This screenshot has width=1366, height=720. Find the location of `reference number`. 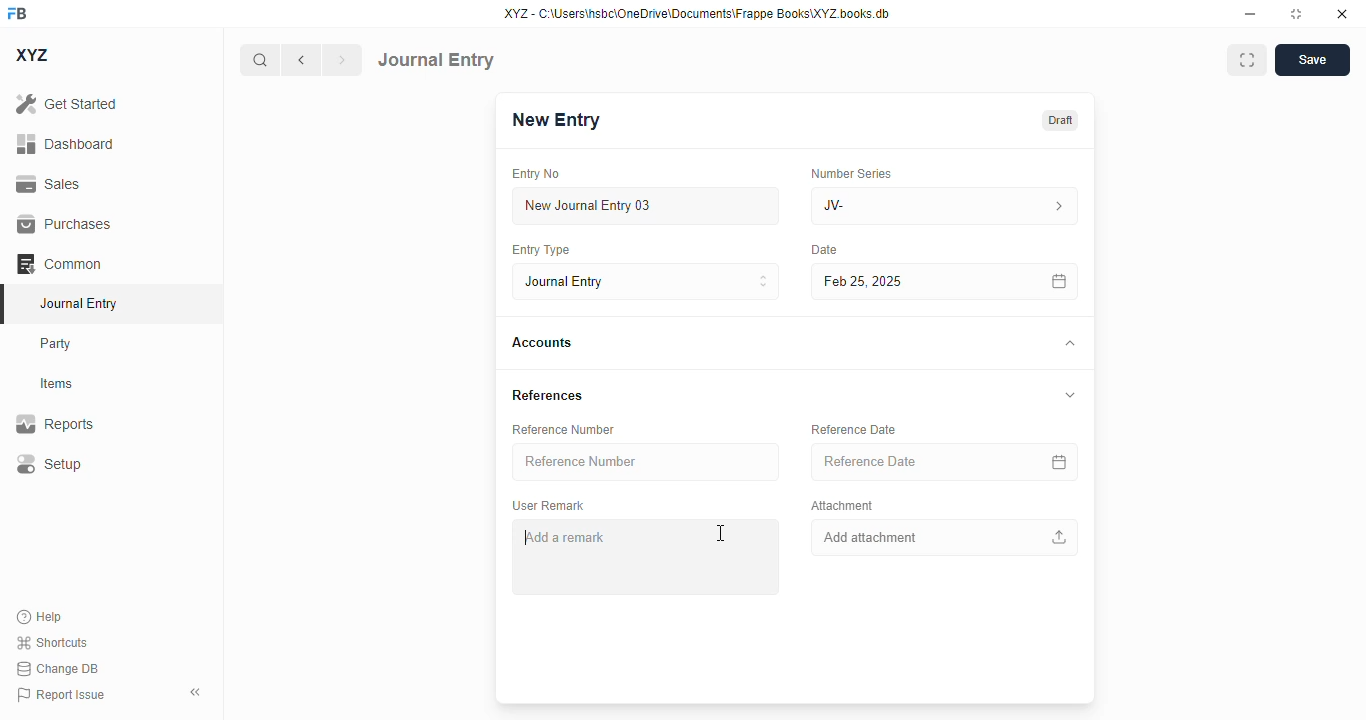

reference number is located at coordinates (563, 430).